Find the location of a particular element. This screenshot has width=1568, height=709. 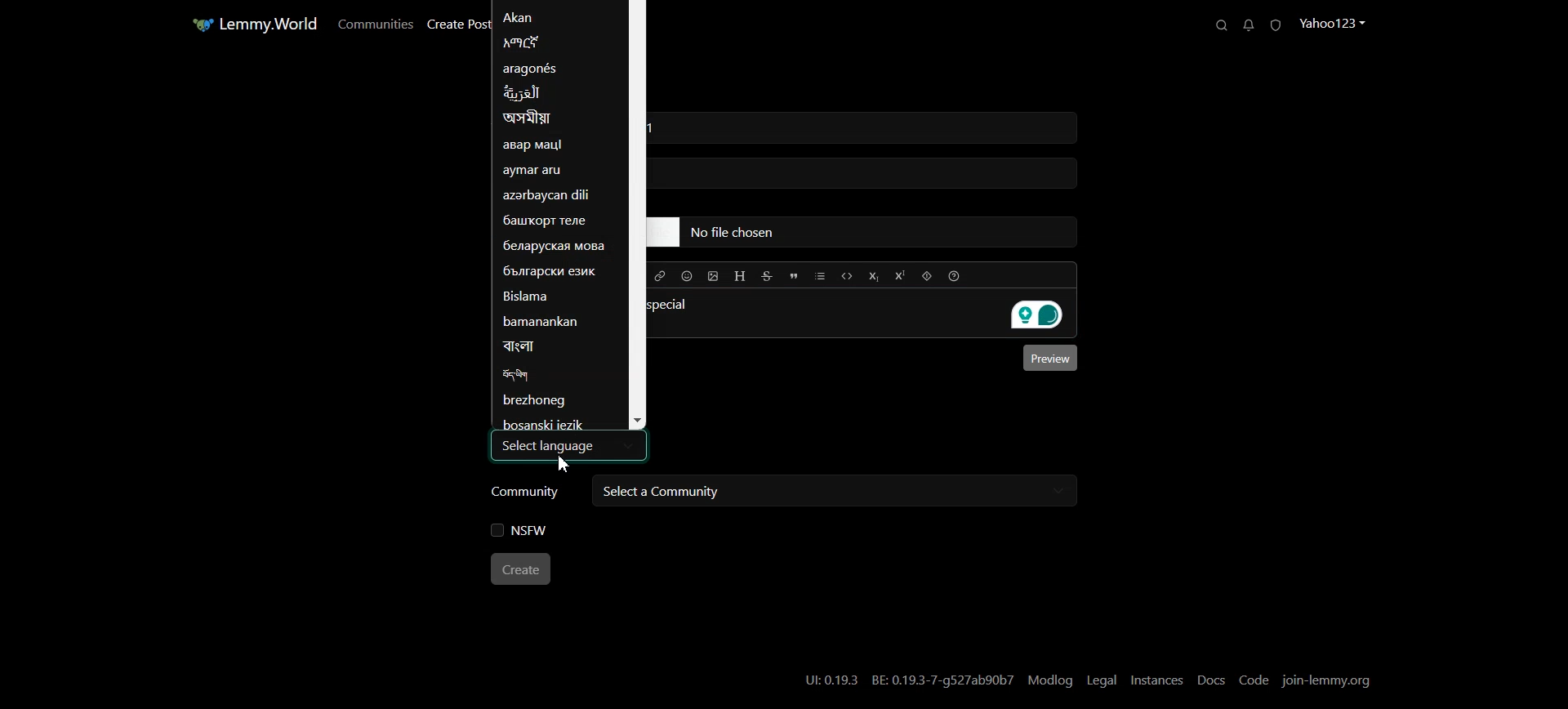

Vertical Scroll bar is located at coordinates (639, 215).